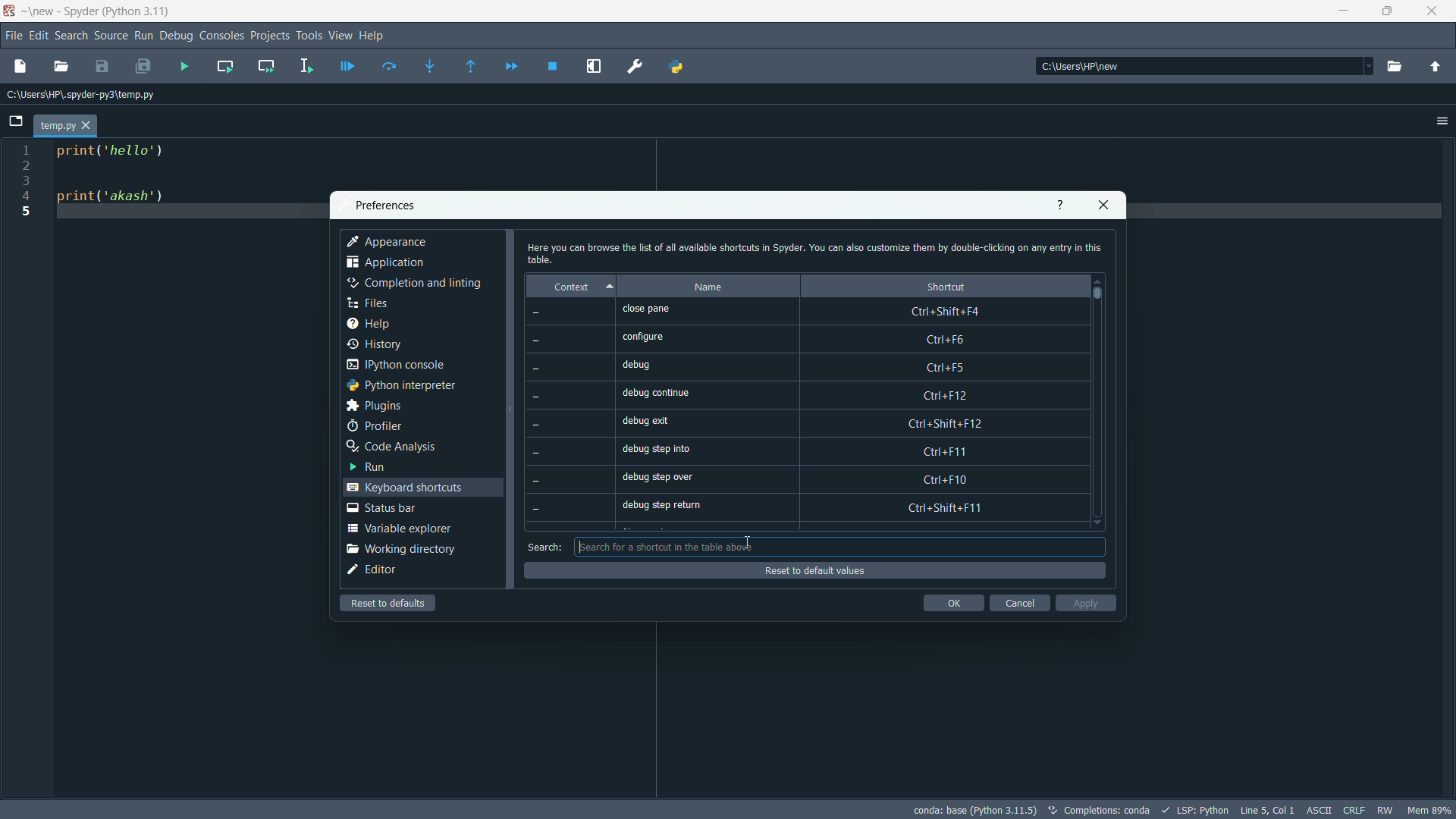  What do you see at coordinates (509, 65) in the screenshot?
I see `continue execution untill next break point` at bounding box center [509, 65].